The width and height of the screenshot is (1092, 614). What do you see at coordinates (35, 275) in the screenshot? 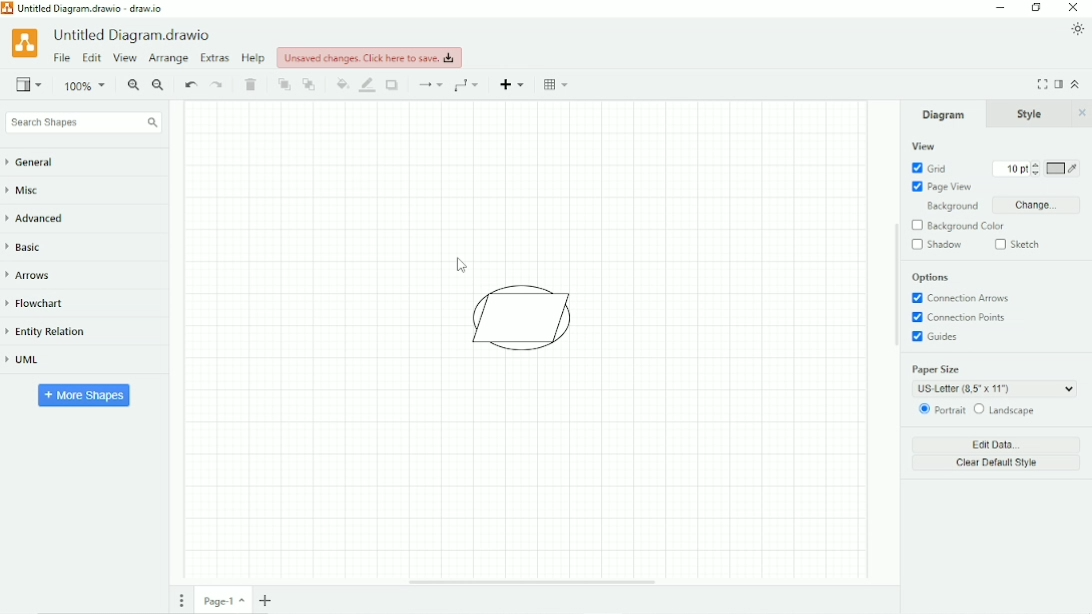
I see `Arrows` at bounding box center [35, 275].